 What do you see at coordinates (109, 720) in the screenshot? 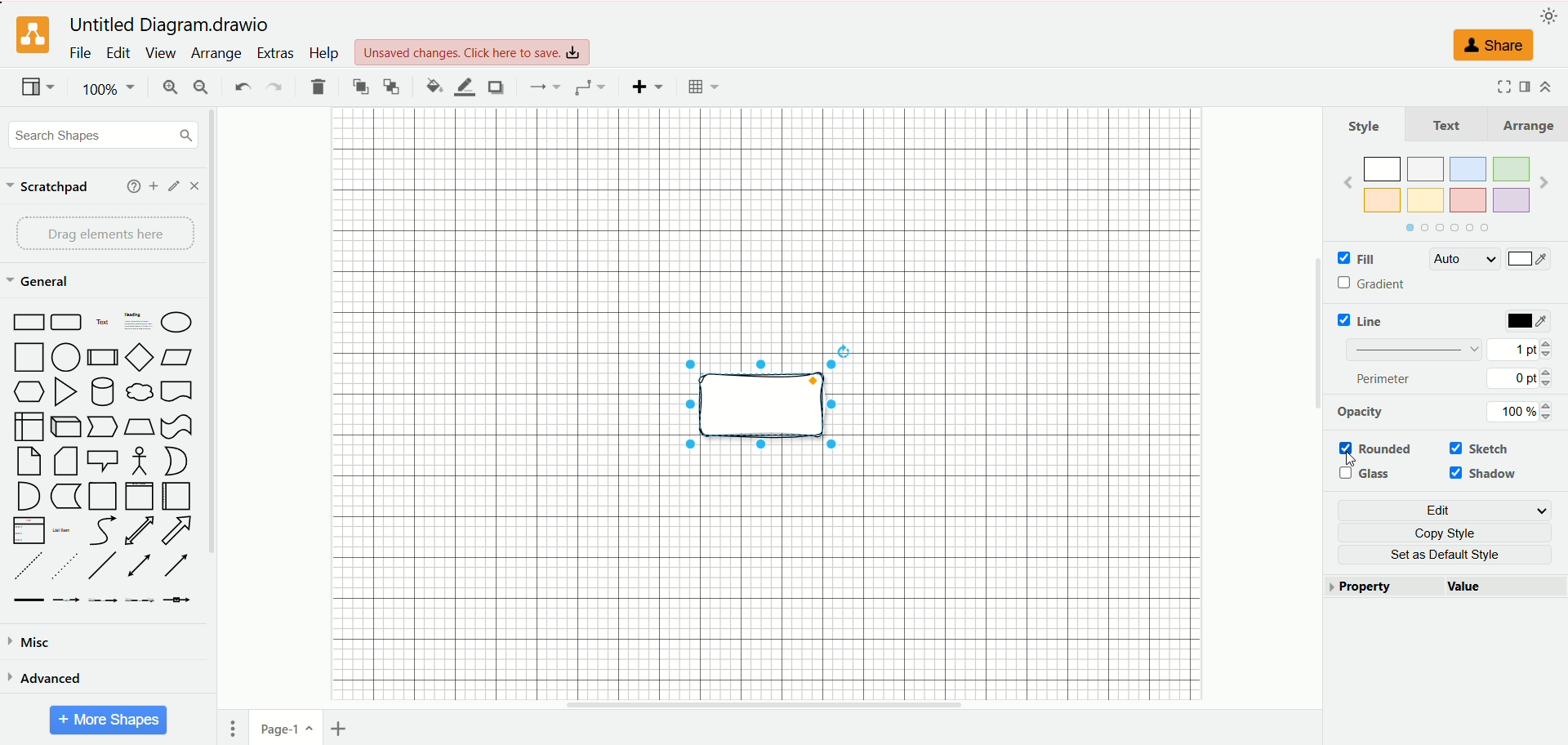
I see `more shapes` at bounding box center [109, 720].